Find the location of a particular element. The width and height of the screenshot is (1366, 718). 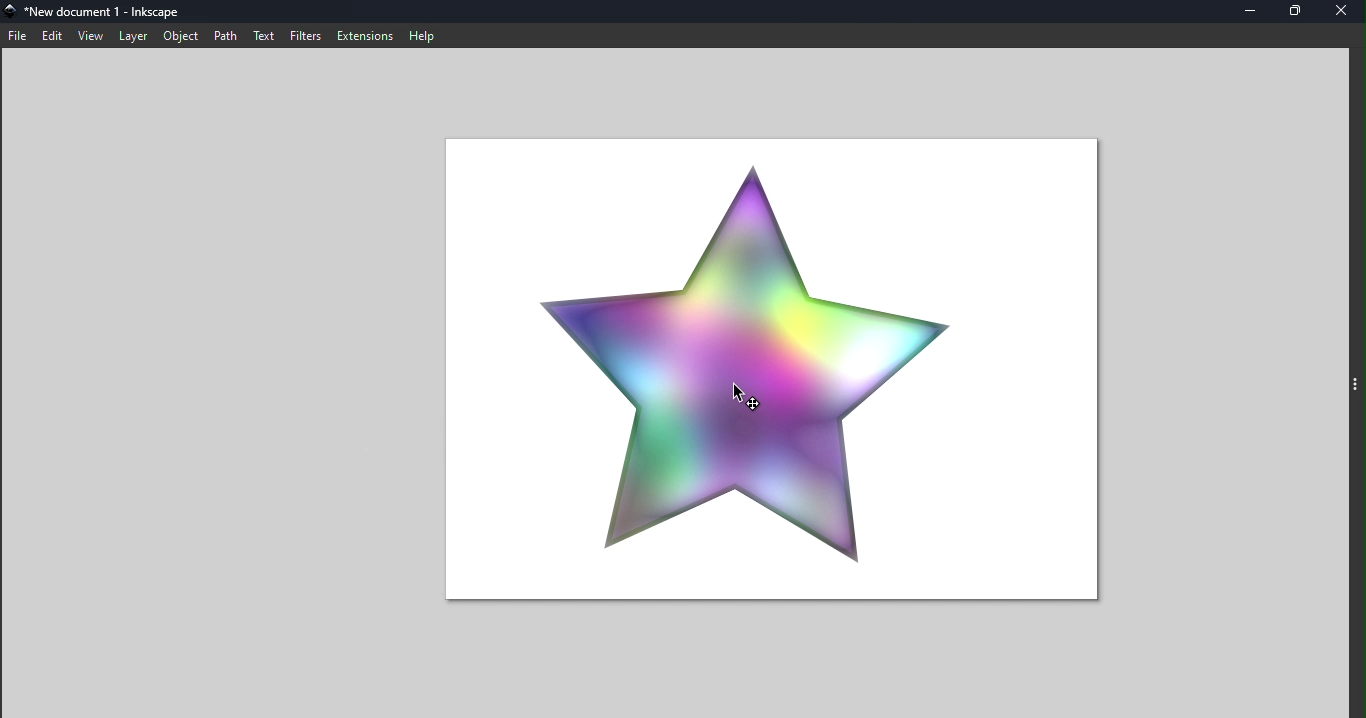

edit is located at coordinates (52, 36).